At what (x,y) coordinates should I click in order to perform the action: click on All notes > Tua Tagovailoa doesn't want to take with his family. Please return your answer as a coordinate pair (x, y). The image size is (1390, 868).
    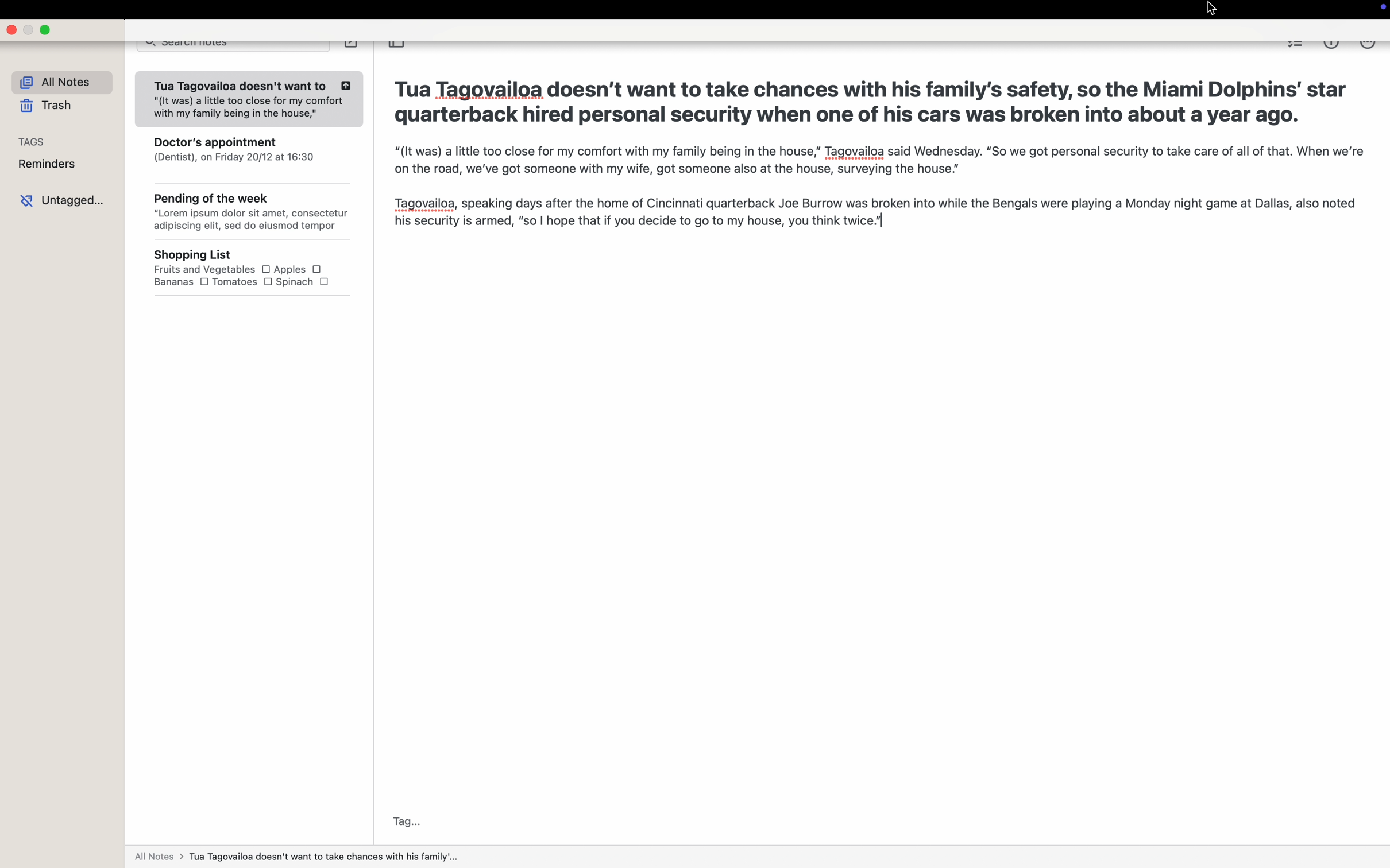
    Looking at the image, I should click on (315, 857).